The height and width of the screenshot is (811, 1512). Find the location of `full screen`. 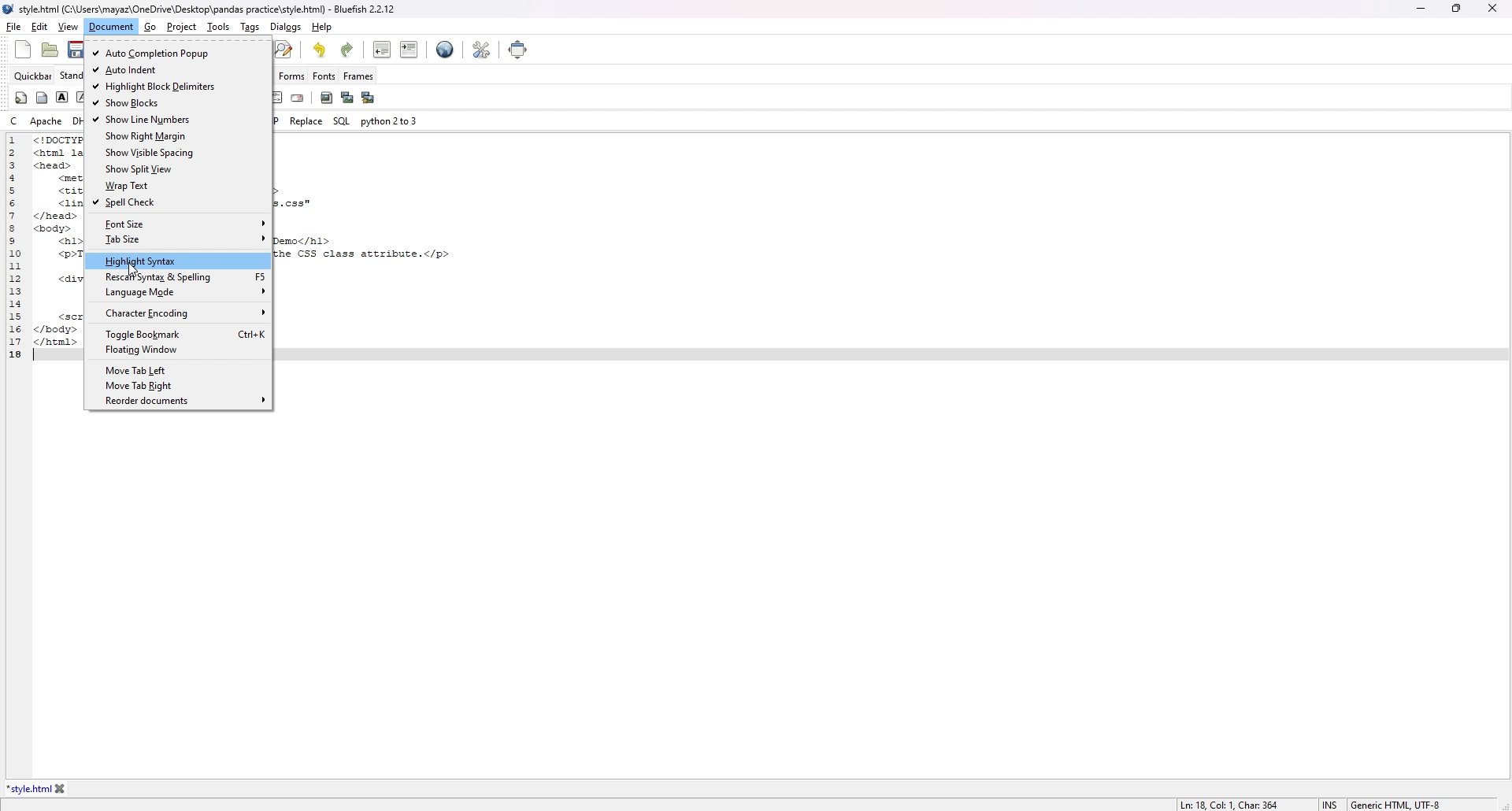

full screen is located at coordinates (516, 49).